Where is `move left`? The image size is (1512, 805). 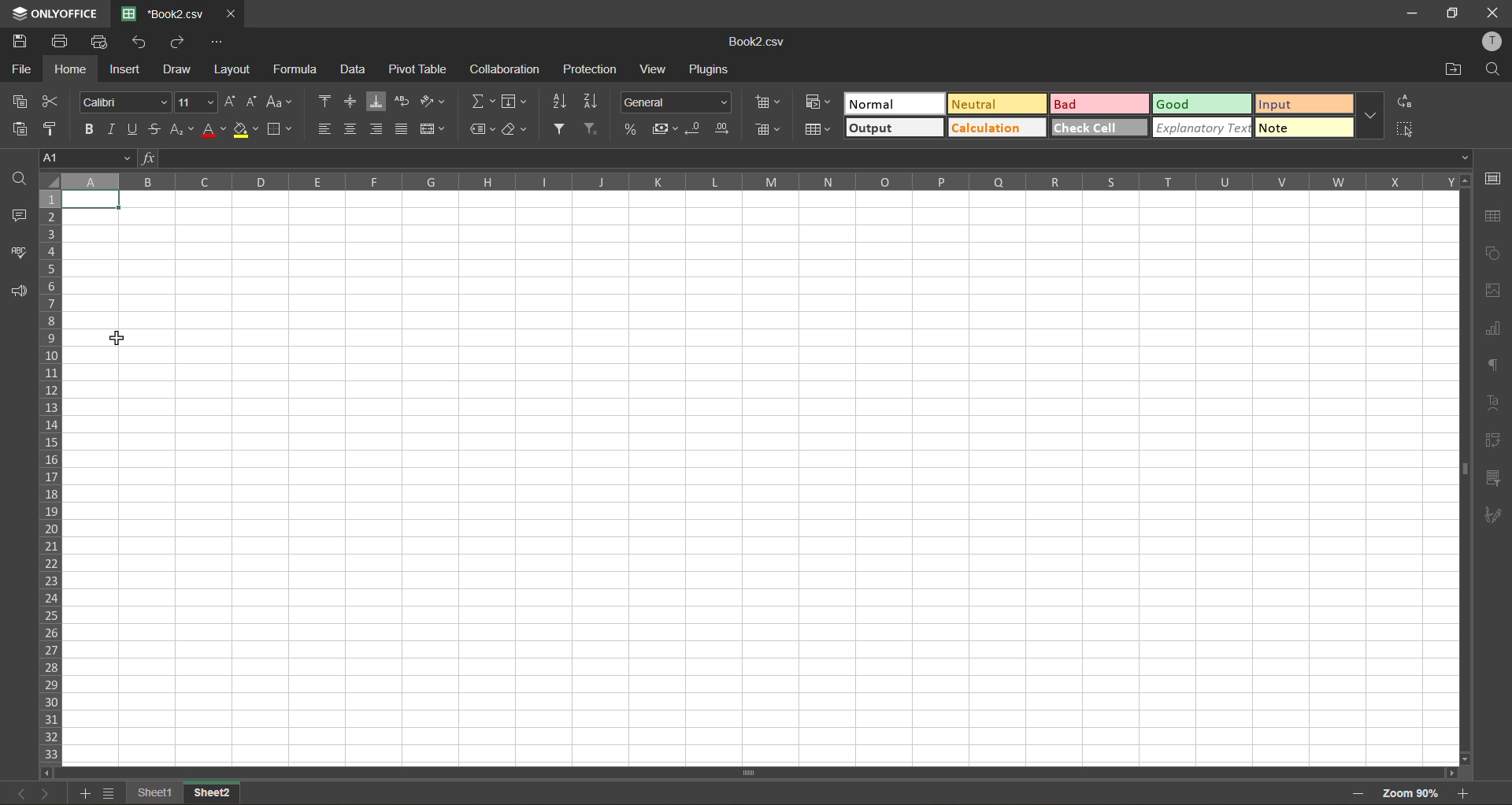
move left is located at coordinates (47, 773).